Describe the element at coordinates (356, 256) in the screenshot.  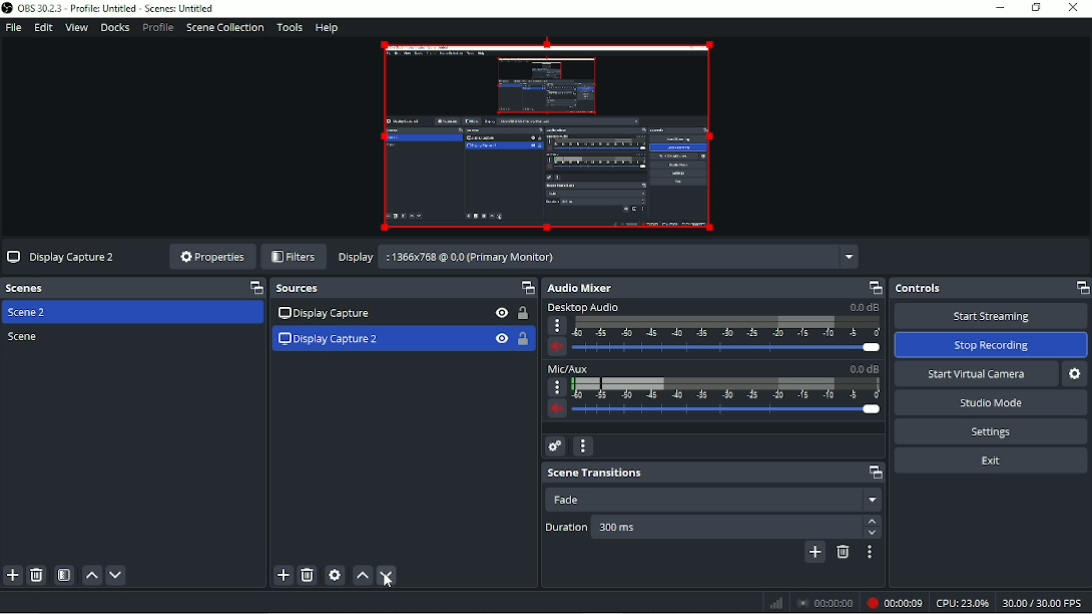
I see `Display` at that location.